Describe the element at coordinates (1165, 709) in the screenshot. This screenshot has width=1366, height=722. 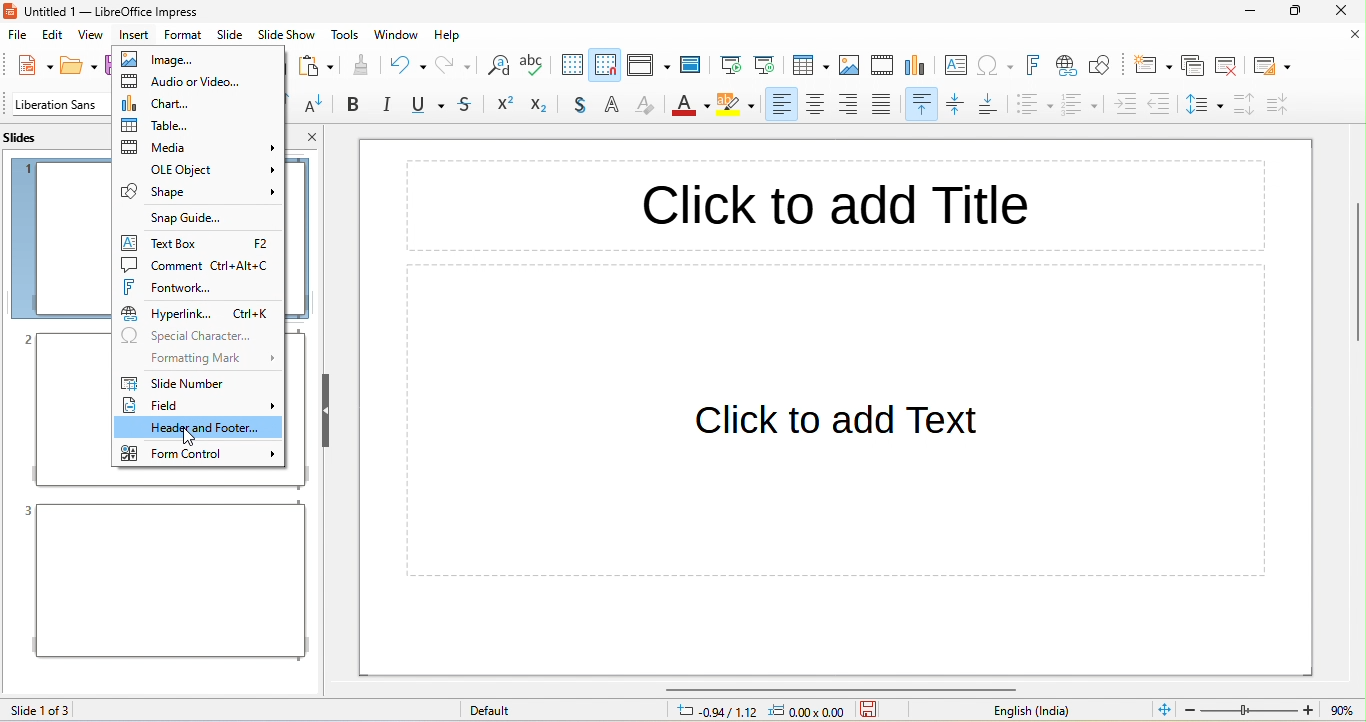
I see `fit slide to current window` at that location.